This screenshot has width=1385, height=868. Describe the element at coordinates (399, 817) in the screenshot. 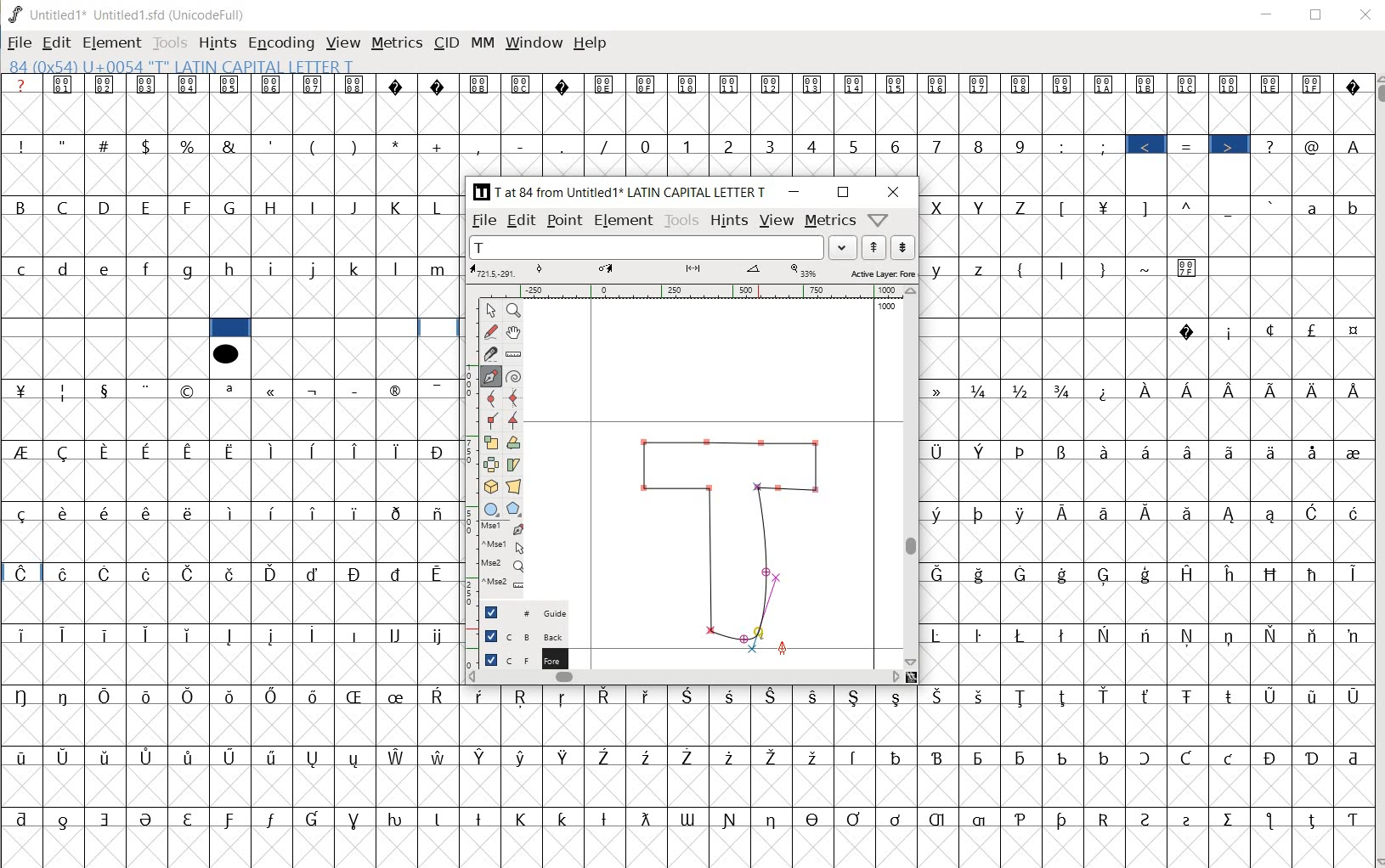

I see `Symbol` at that location.